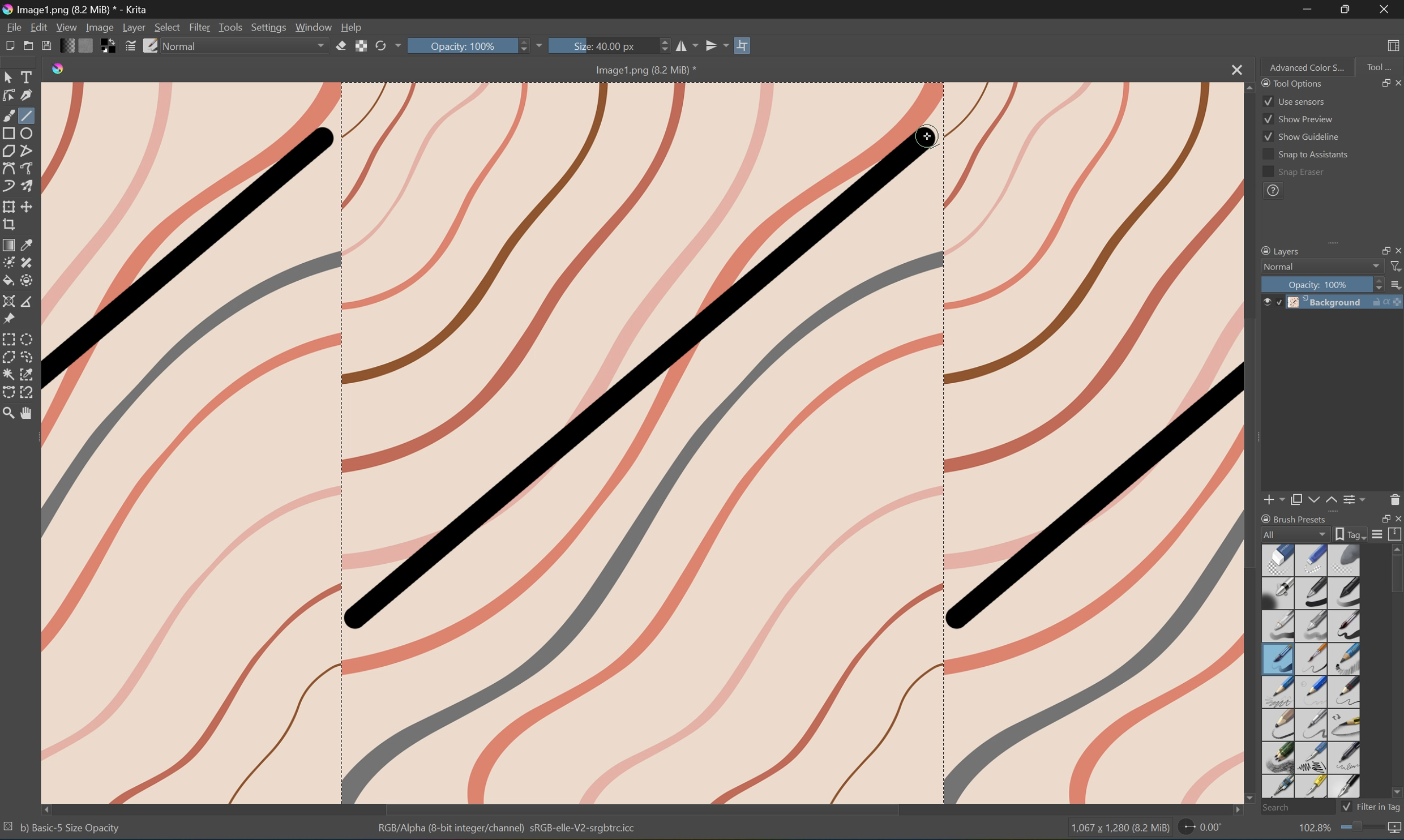 This screenshot has height=840, width=1404. Describe the element at coordinates (1294, 173) in the screenshot. I see `Snap erasor` at that location.